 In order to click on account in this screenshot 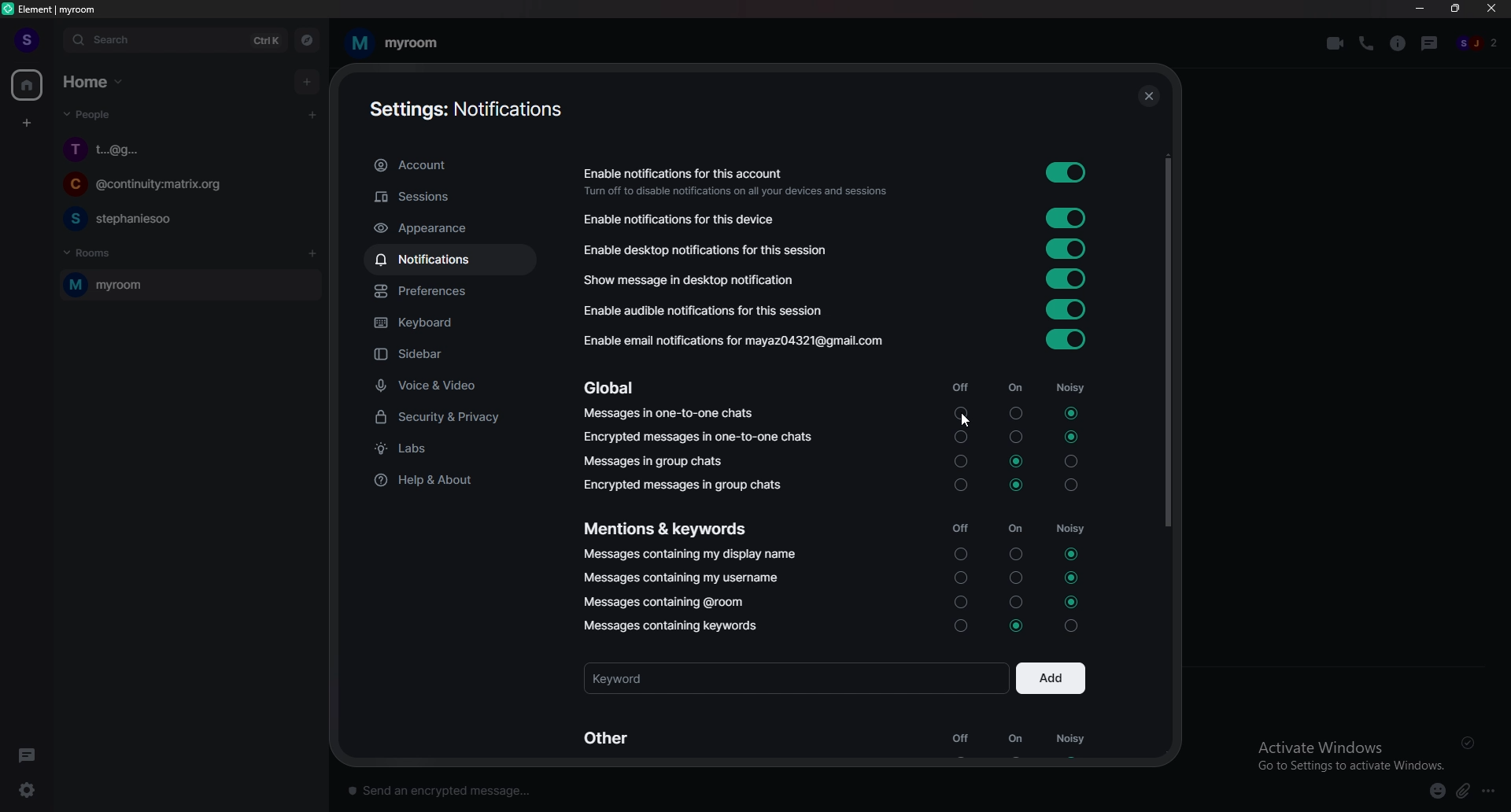, I will do `click(454, 164)`.